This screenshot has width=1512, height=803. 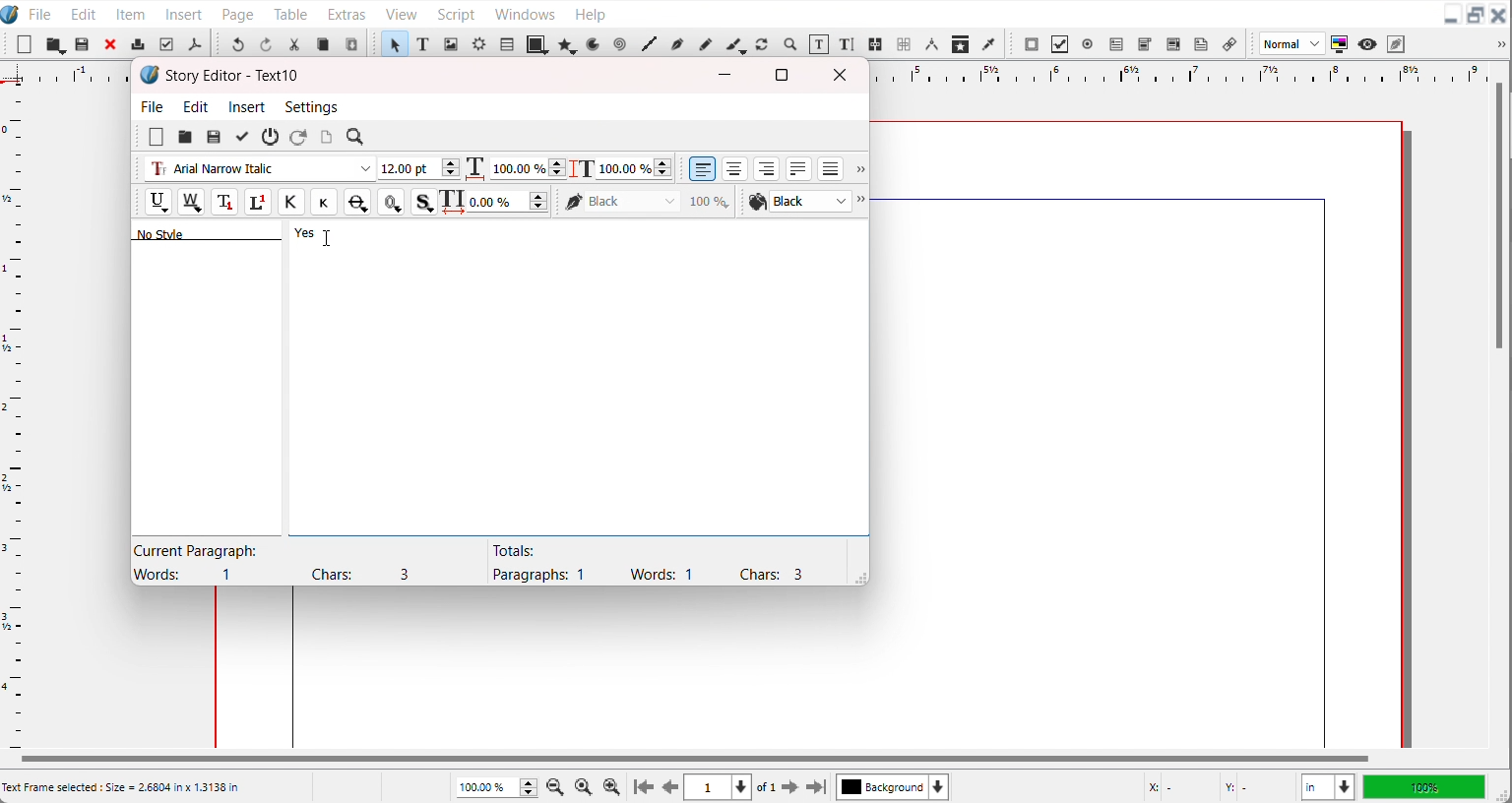 What do you see at coordinates (111, 43) in the screenshot?
I see `Close` at bounding box center [111, 43].